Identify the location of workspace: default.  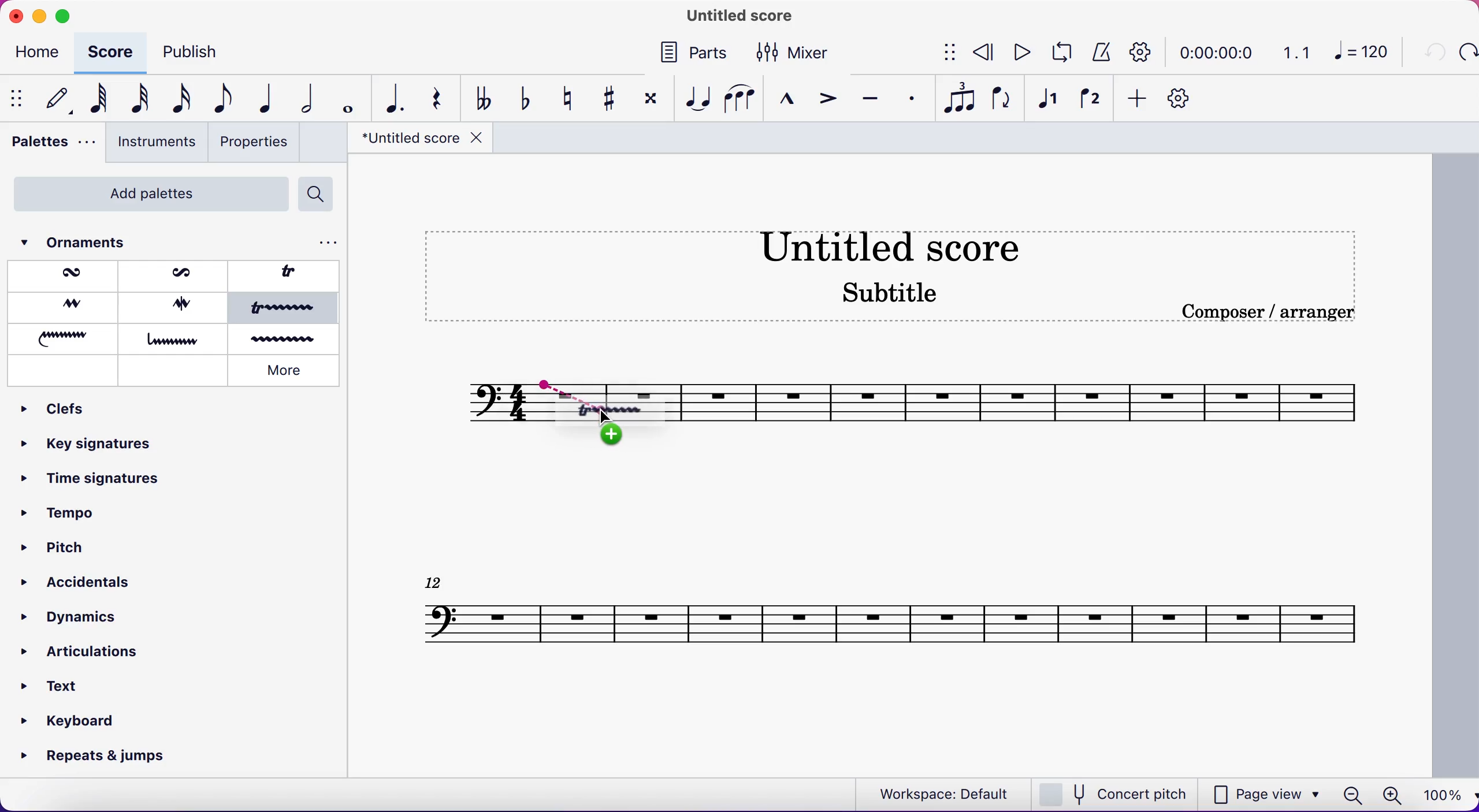
(939, 793).